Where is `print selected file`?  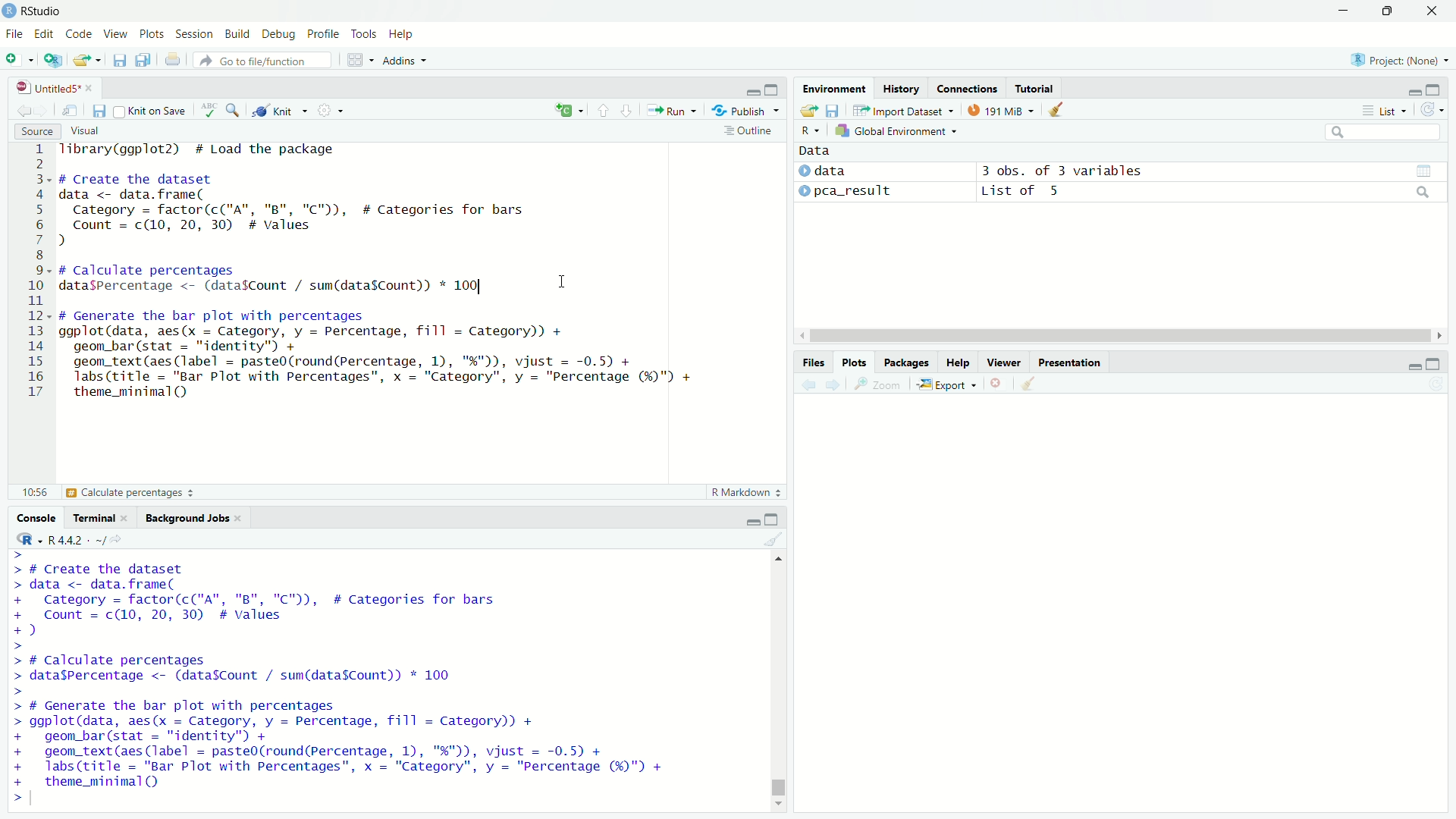
print selected file is located at coordinates (173, 59).